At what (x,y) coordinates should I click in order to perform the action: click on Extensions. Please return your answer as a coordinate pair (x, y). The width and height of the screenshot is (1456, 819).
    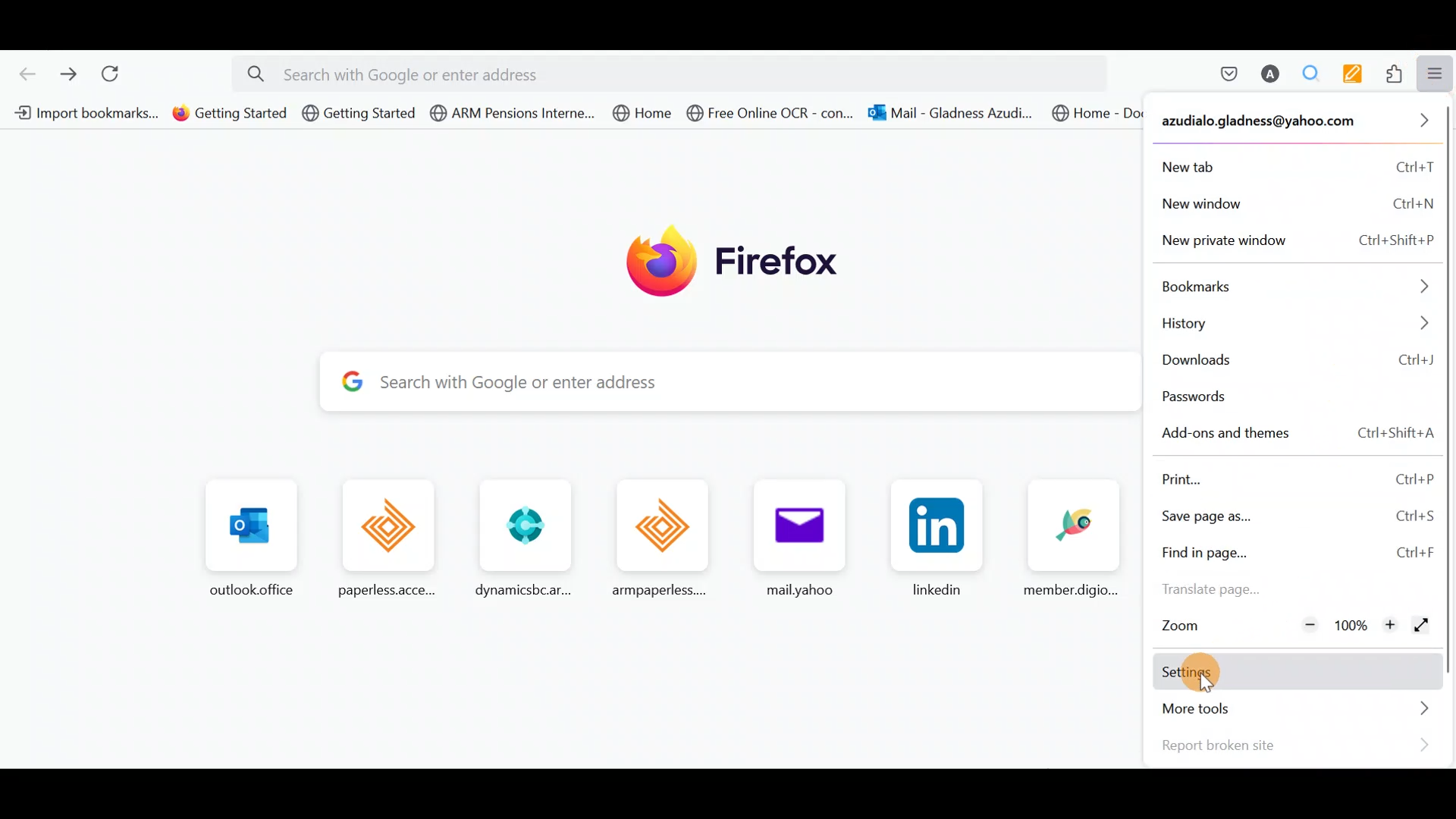
    Looking at the image, I should click on (1390, 74).